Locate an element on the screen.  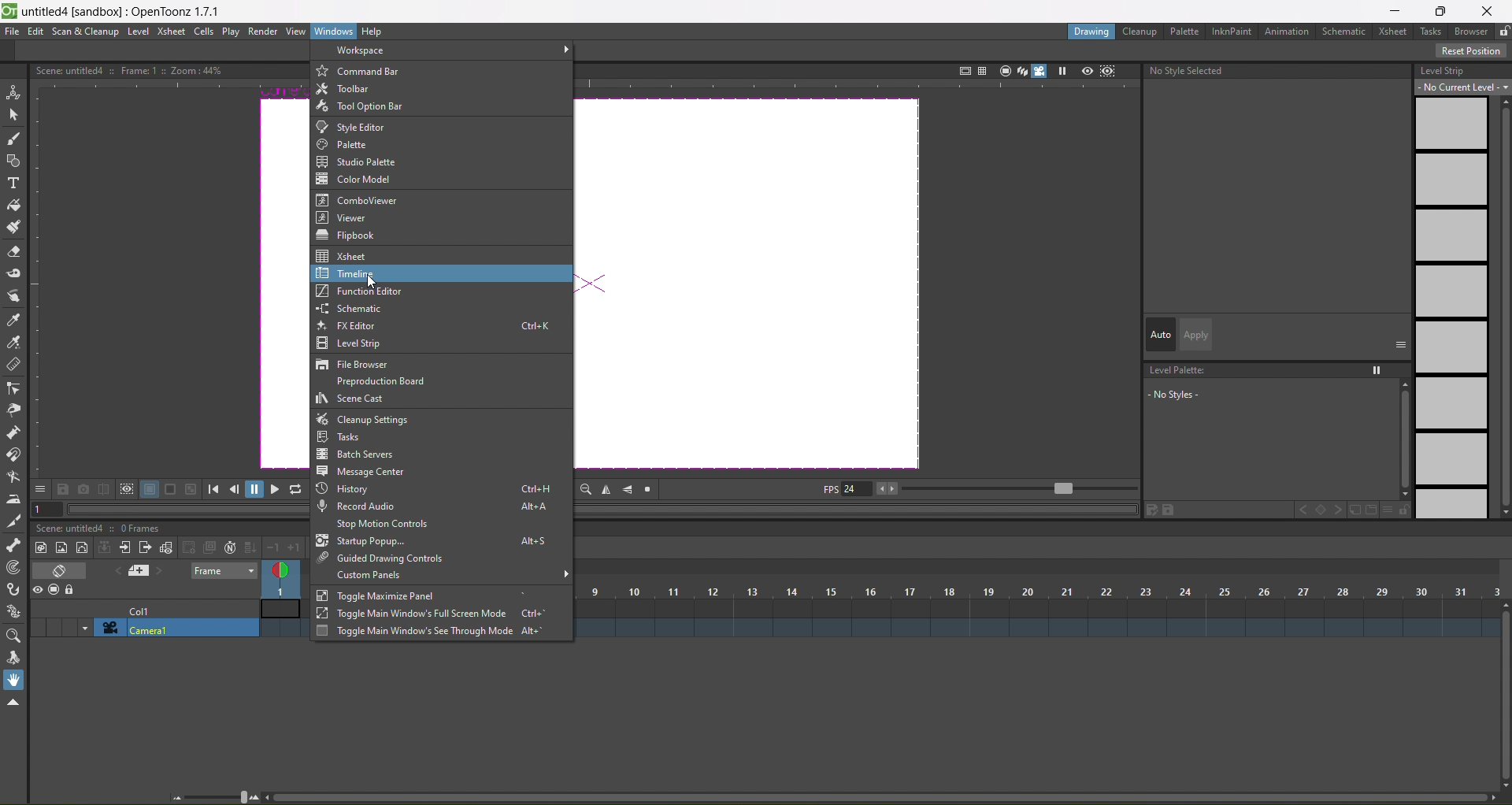
guided drawing controls is located at coordinates (384, 558).